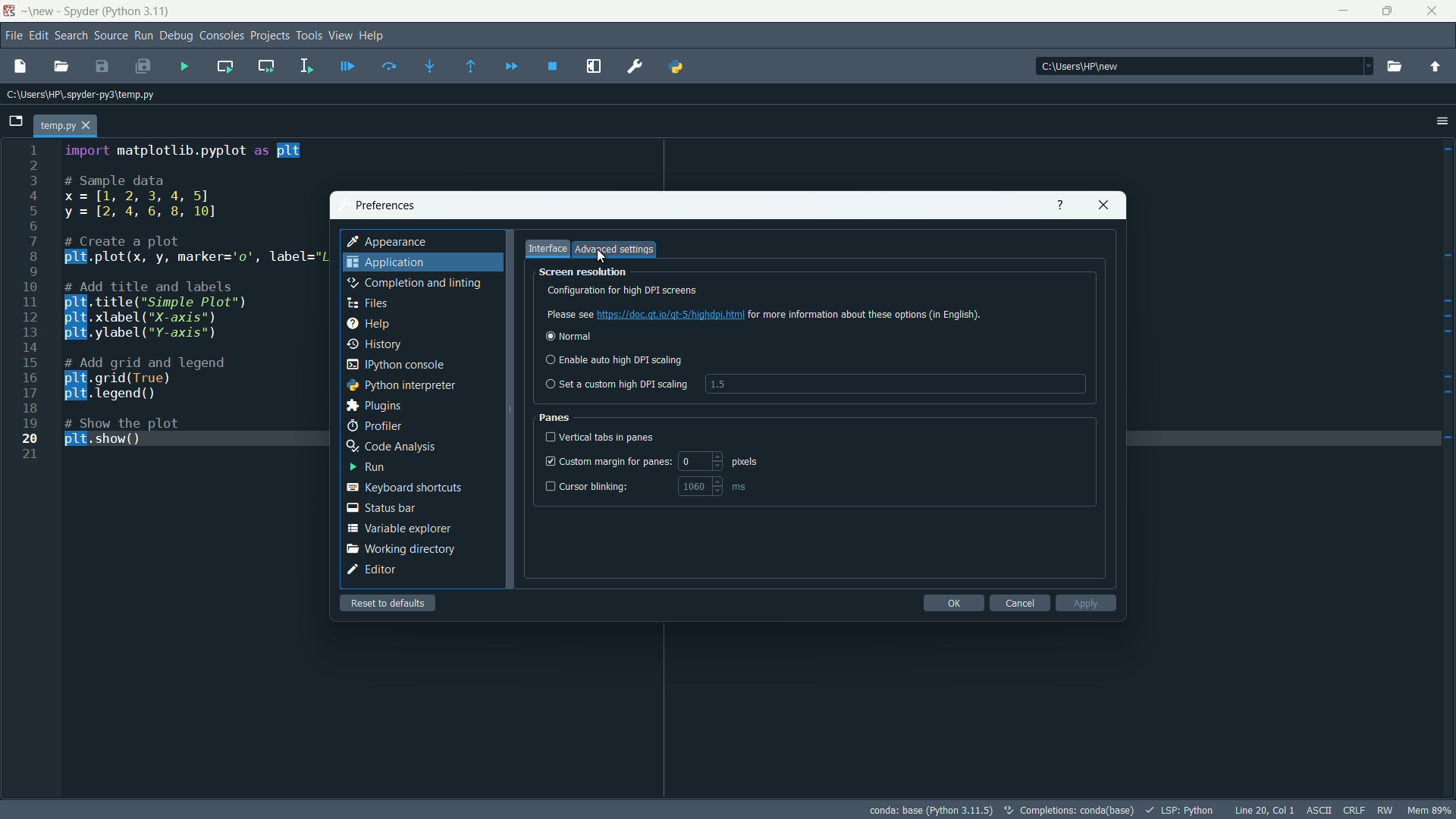 Image resolution: width=1456 pixels, height=819 pixels. Describe the element at coordinates (17, 67) in the screenshot. I see `new file` at that location.